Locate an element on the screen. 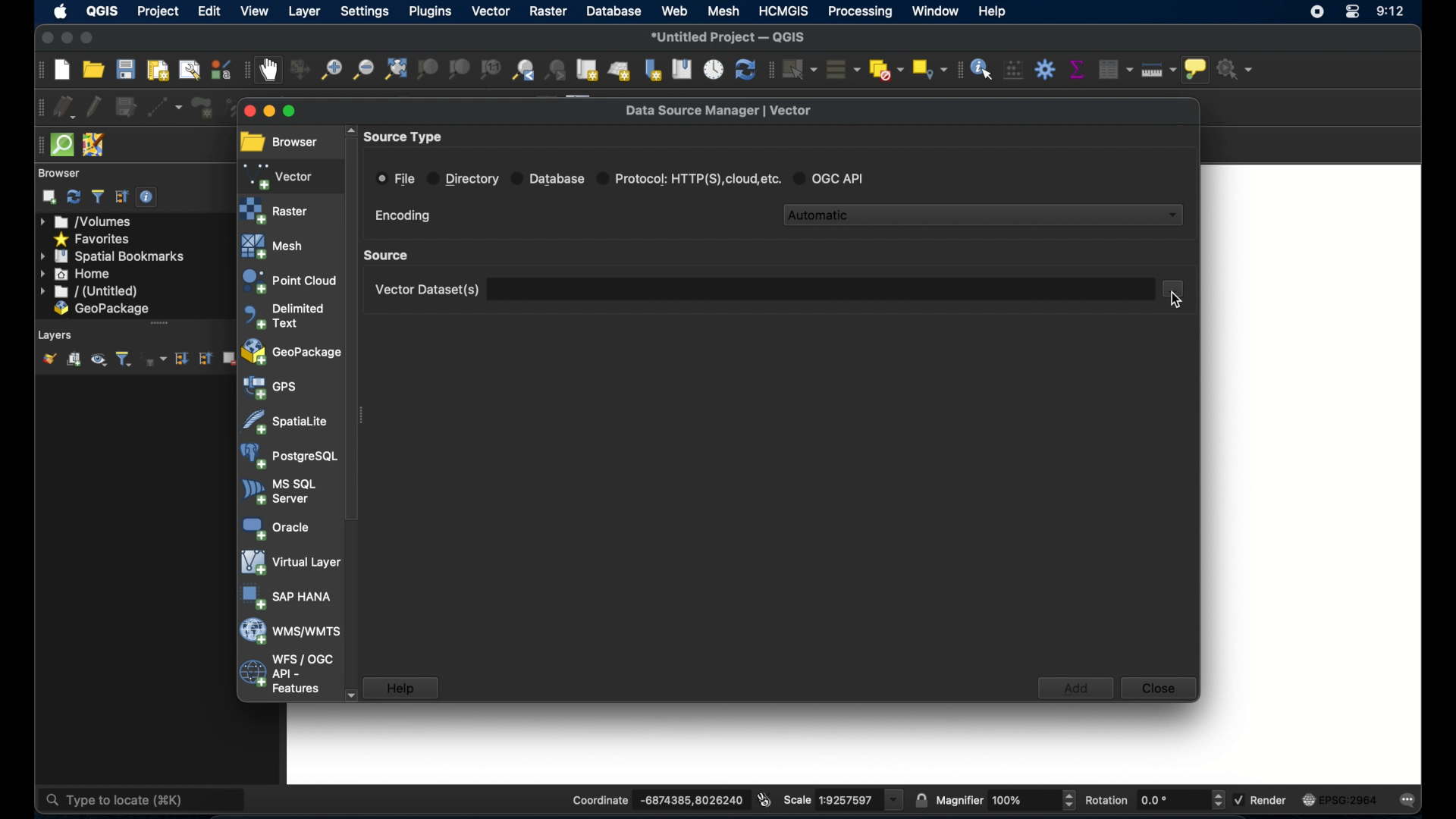 The image size is (1456, 819). scale is located at coordinates (843, 799).